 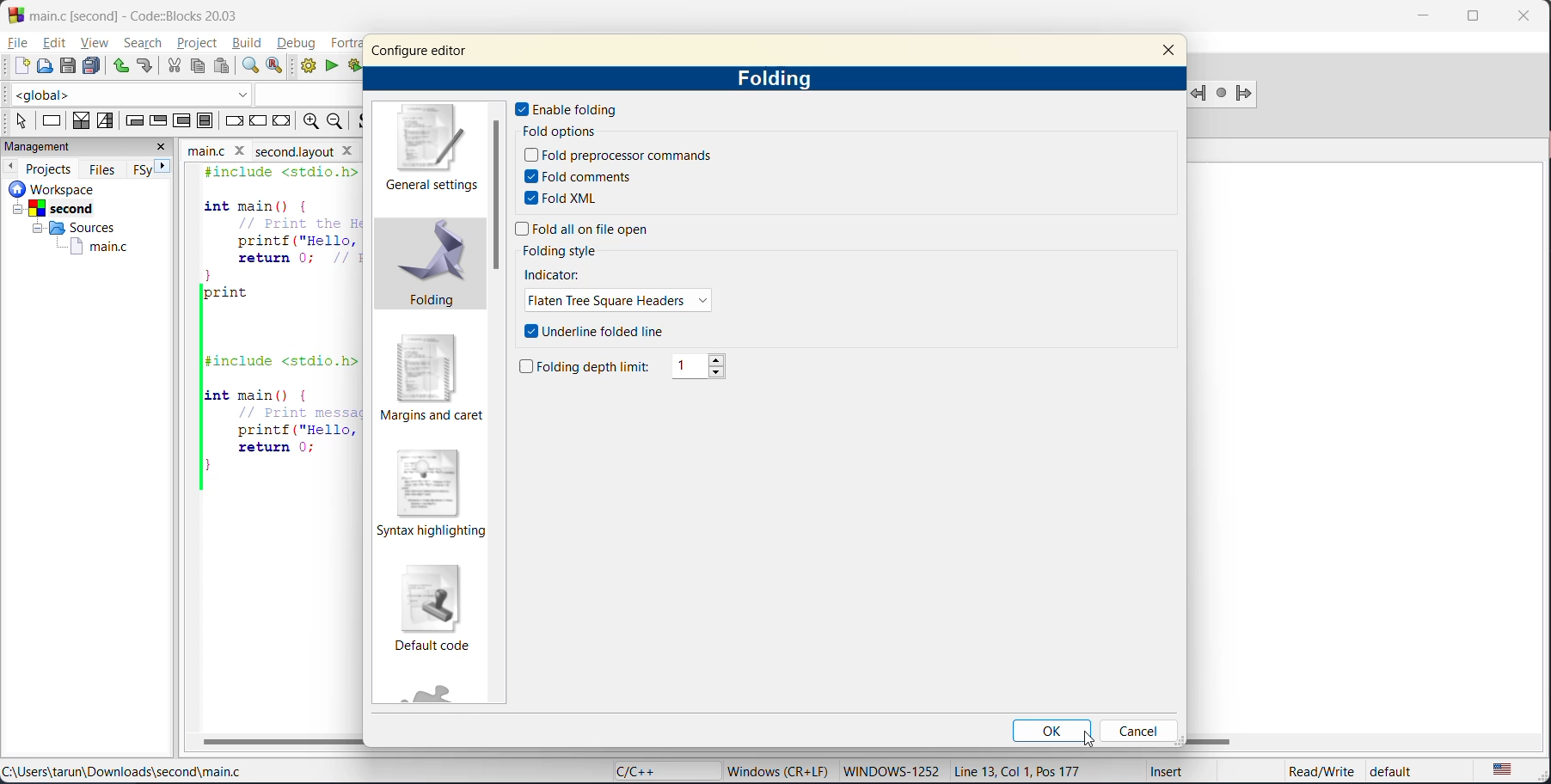 What do you see at coordinates (236, 121) in the screenshot?
I see `break instruction` at bounding box center [236, 121].